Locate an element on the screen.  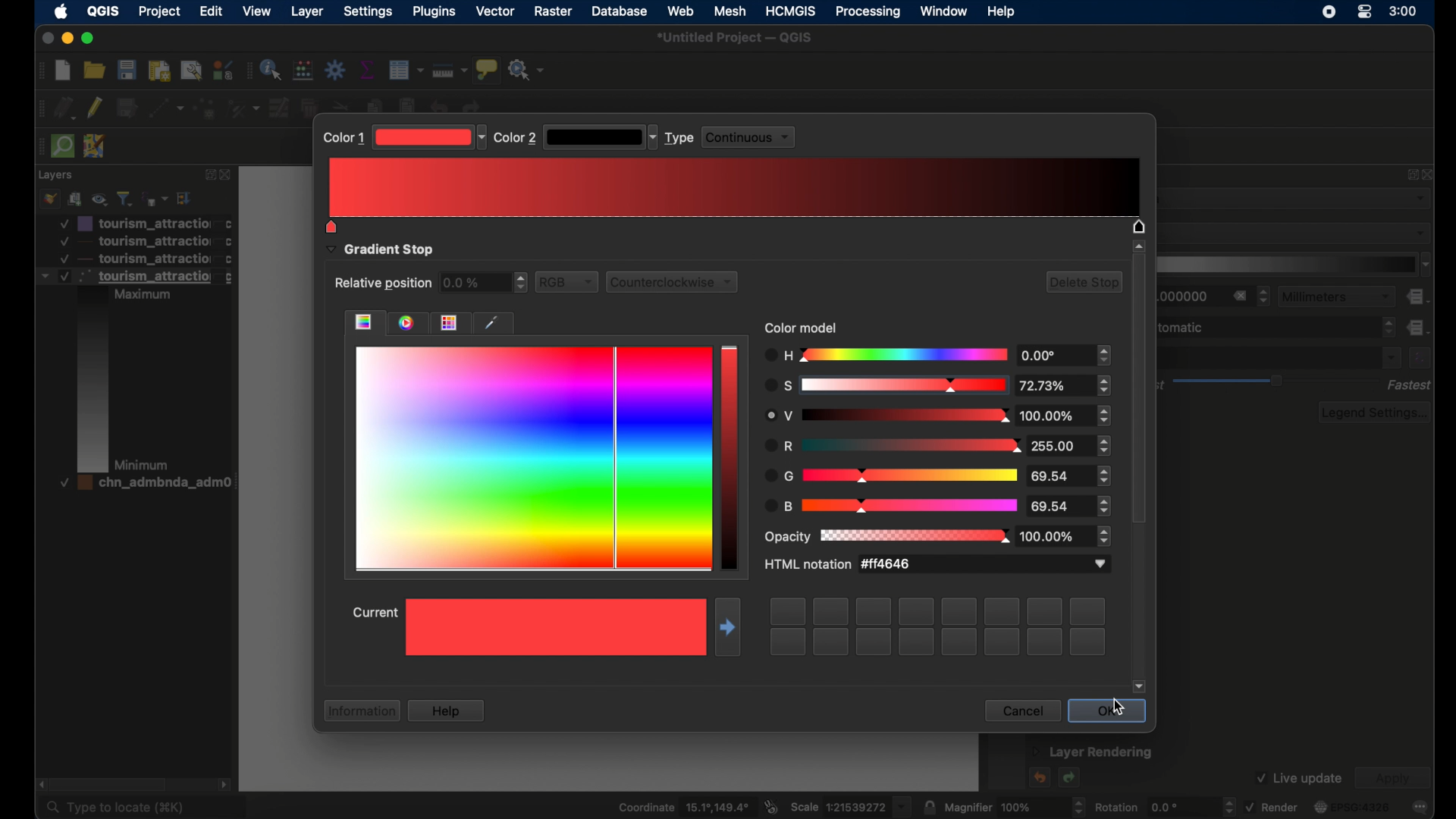
data defined override is located at coordinates (1419, 297).